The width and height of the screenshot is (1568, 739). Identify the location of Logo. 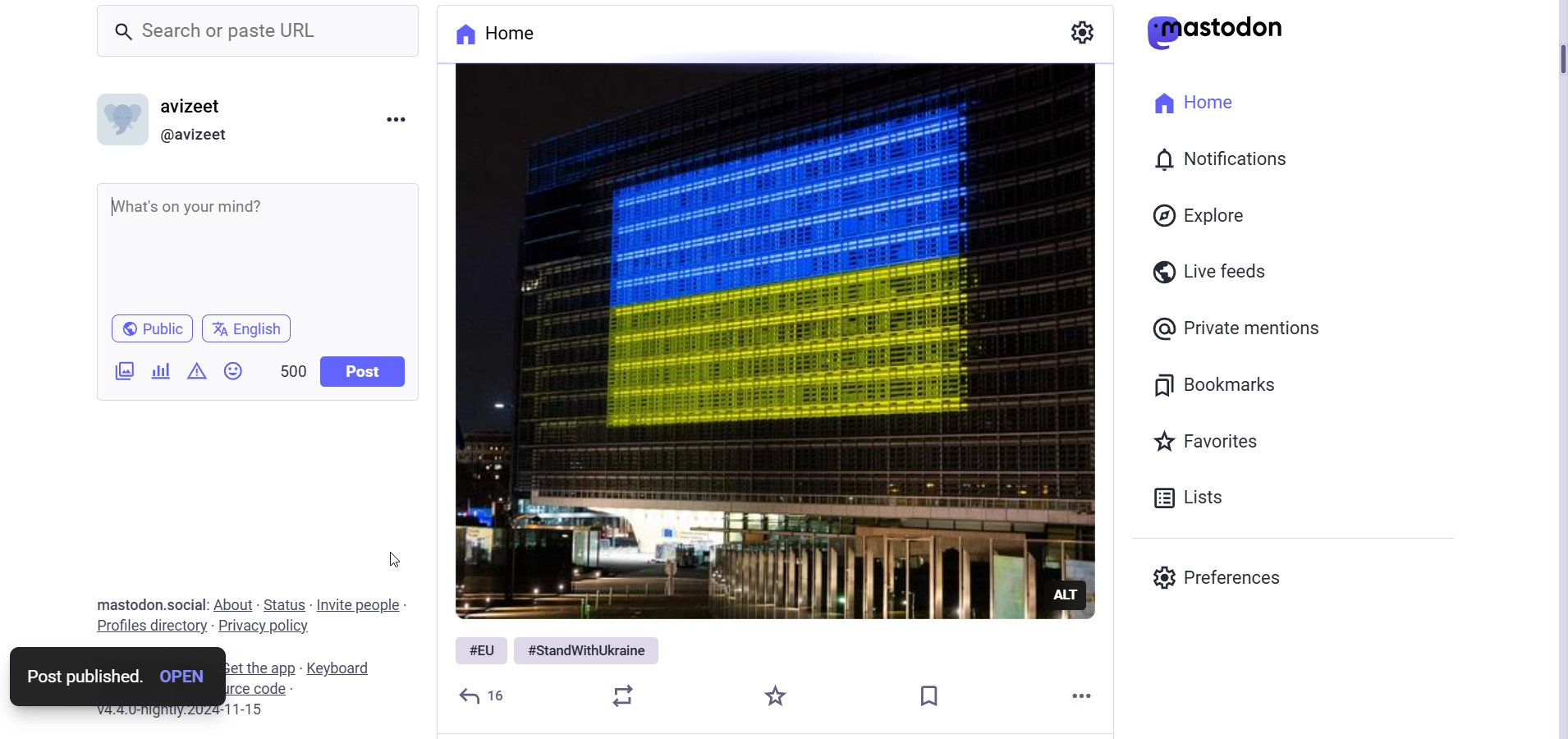
(1220, 32).